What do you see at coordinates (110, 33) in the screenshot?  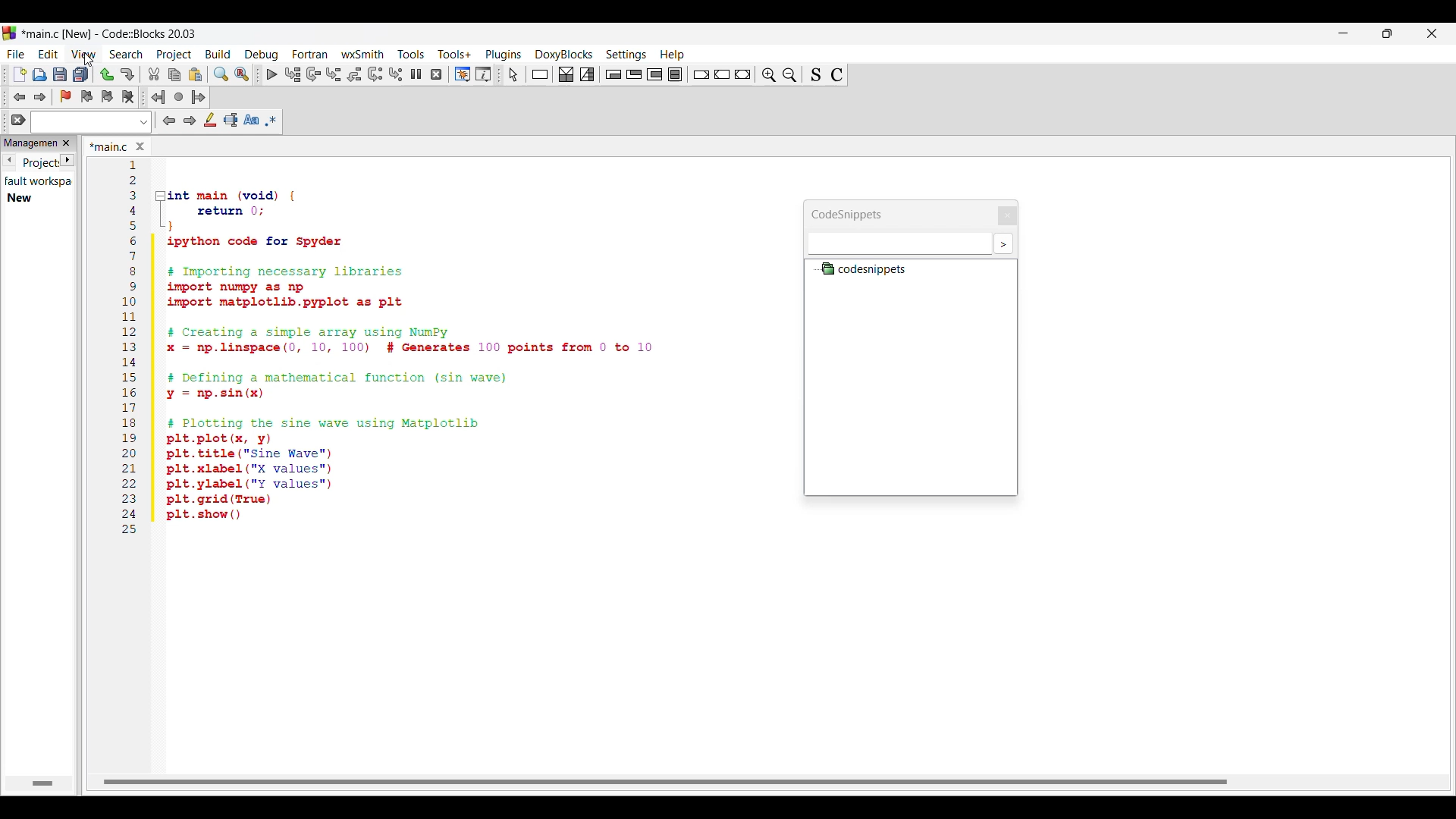 I see `Project name, software name and version` at bounding box center [110, 33].